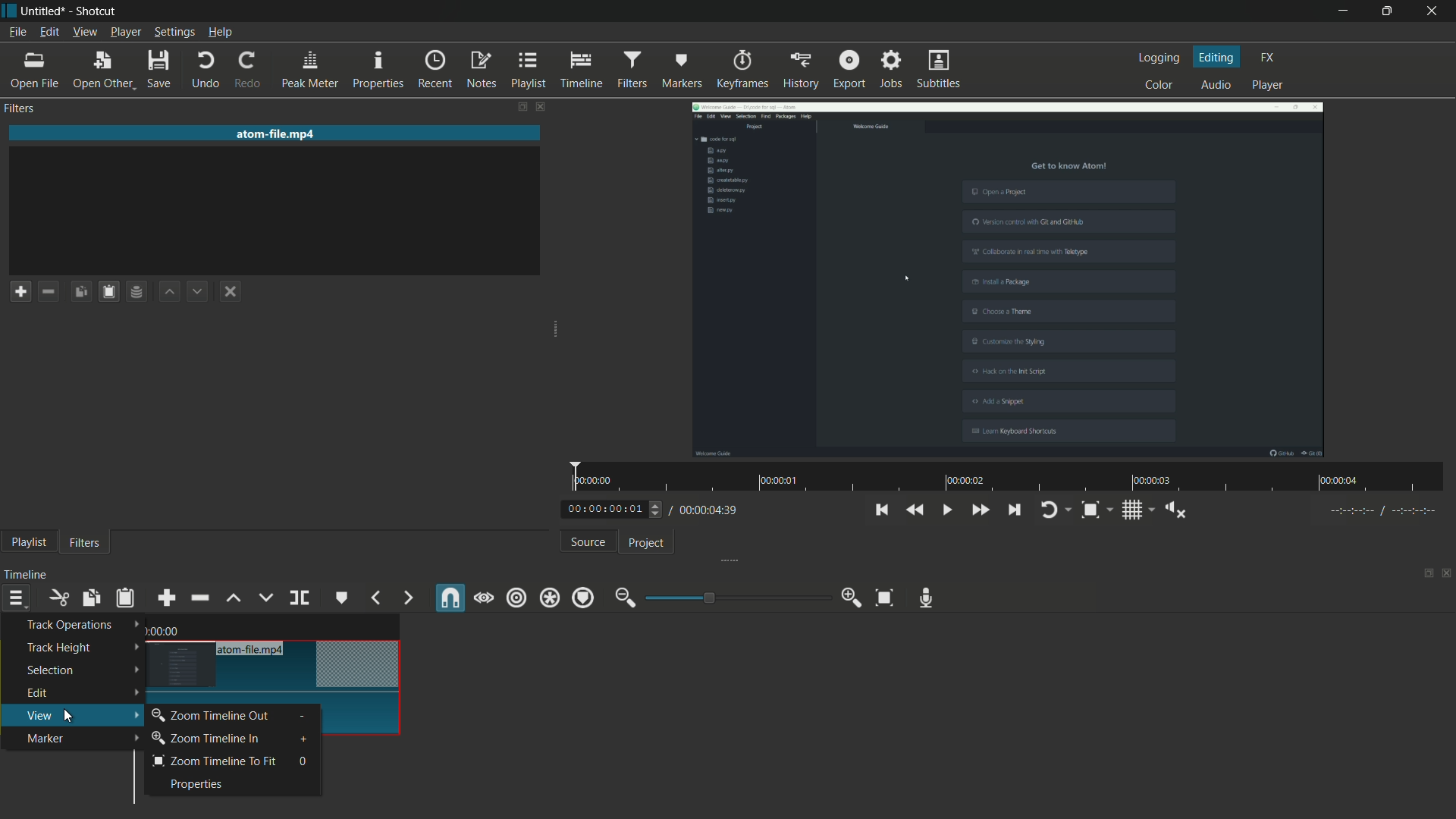 This screenshot has height=819, width=1456. Describe the element at coordinates (18, 32) in the screenshot. I see `file menu` at that location.